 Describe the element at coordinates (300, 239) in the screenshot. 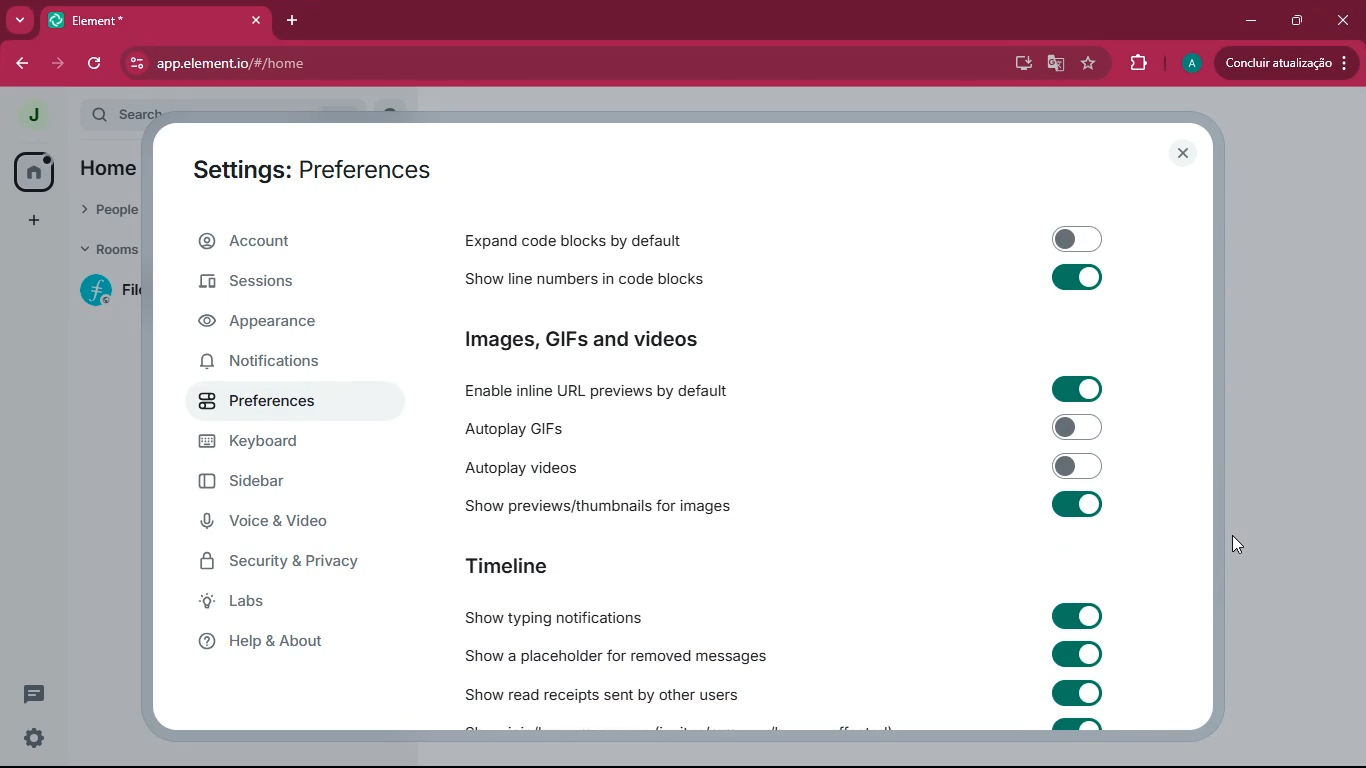

I see `account` at that location.